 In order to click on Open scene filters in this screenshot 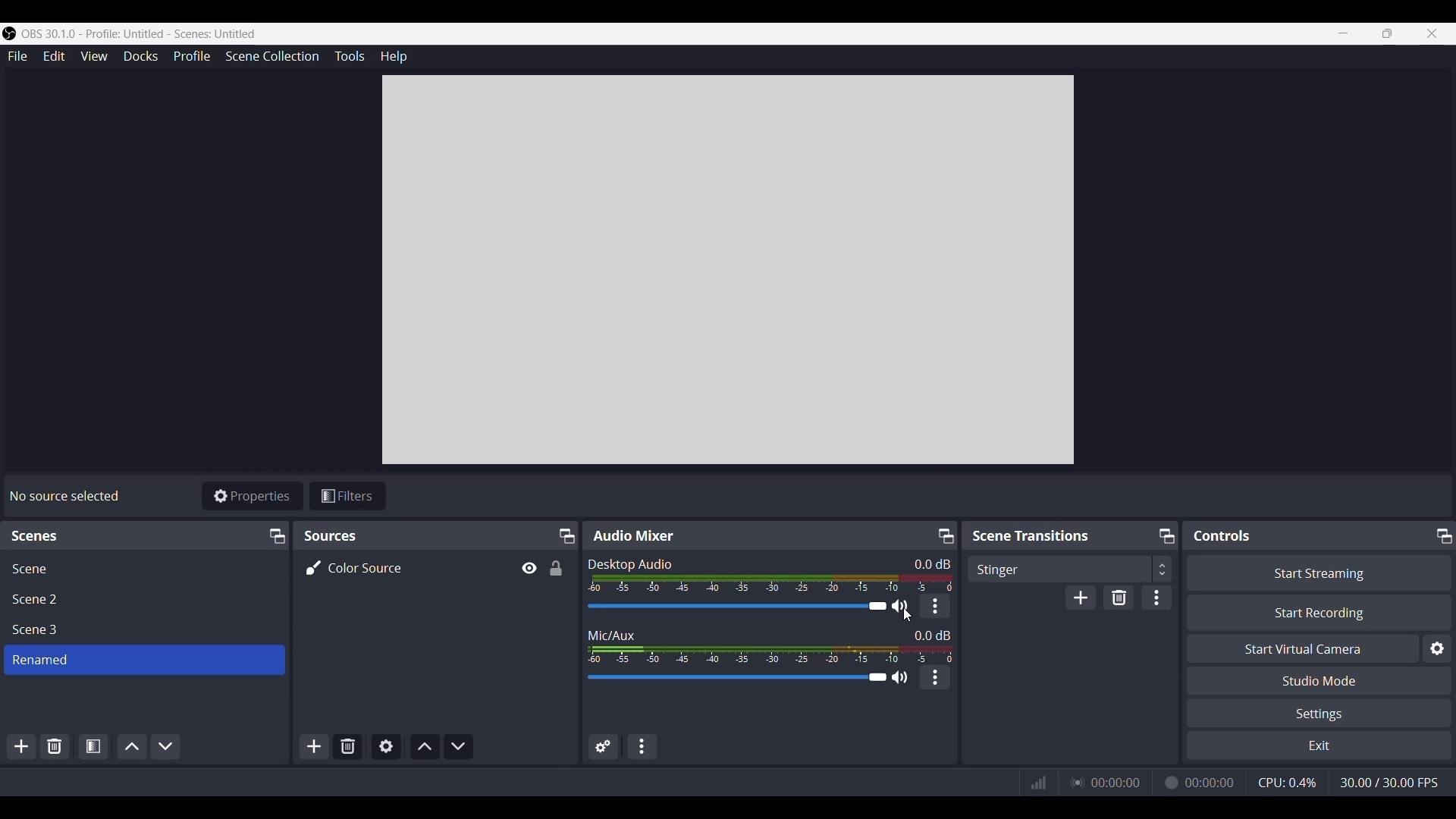, I will do `click(93, 746)`.